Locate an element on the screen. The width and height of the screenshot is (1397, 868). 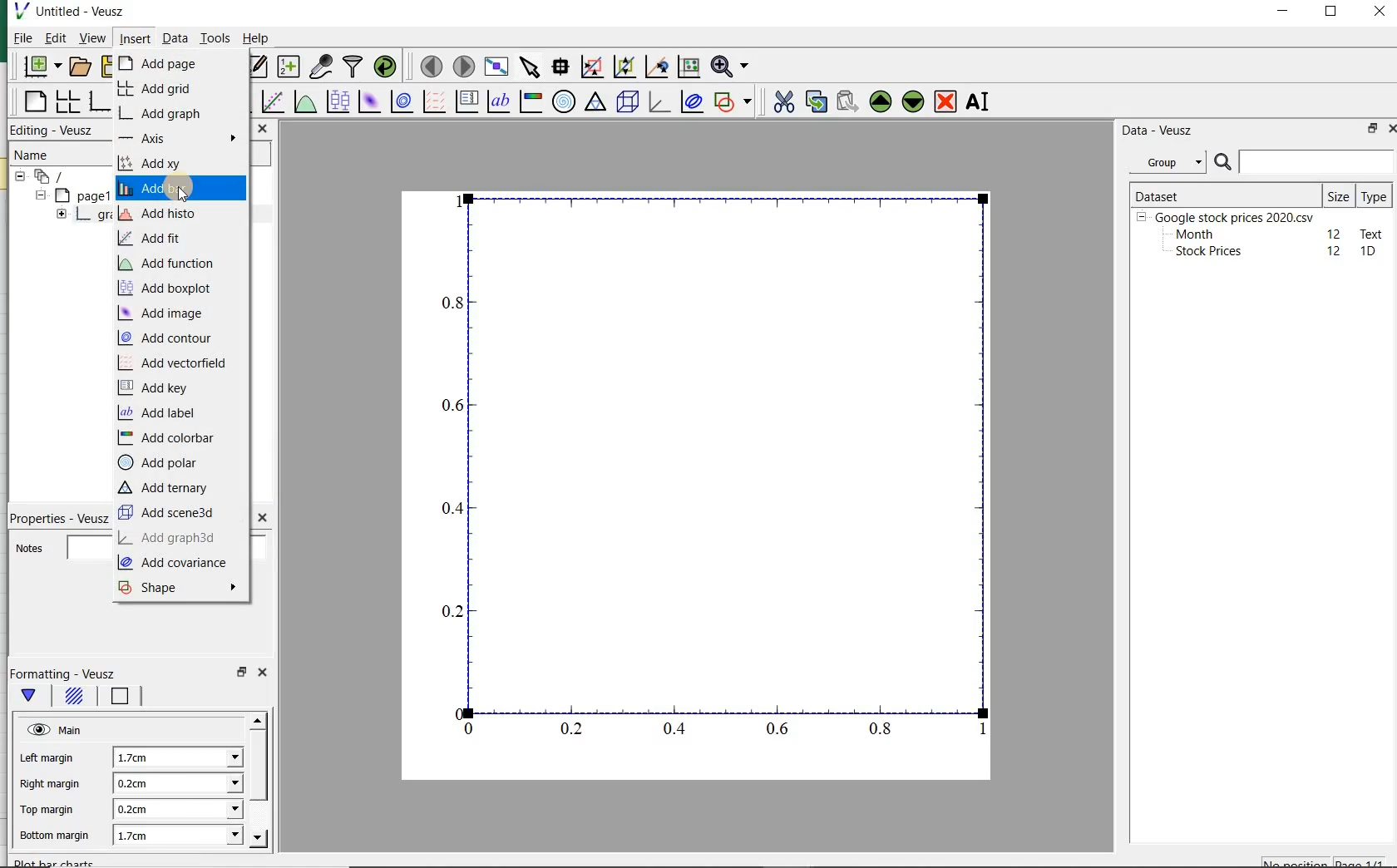
add ternary is located at coordinates (163, 486).